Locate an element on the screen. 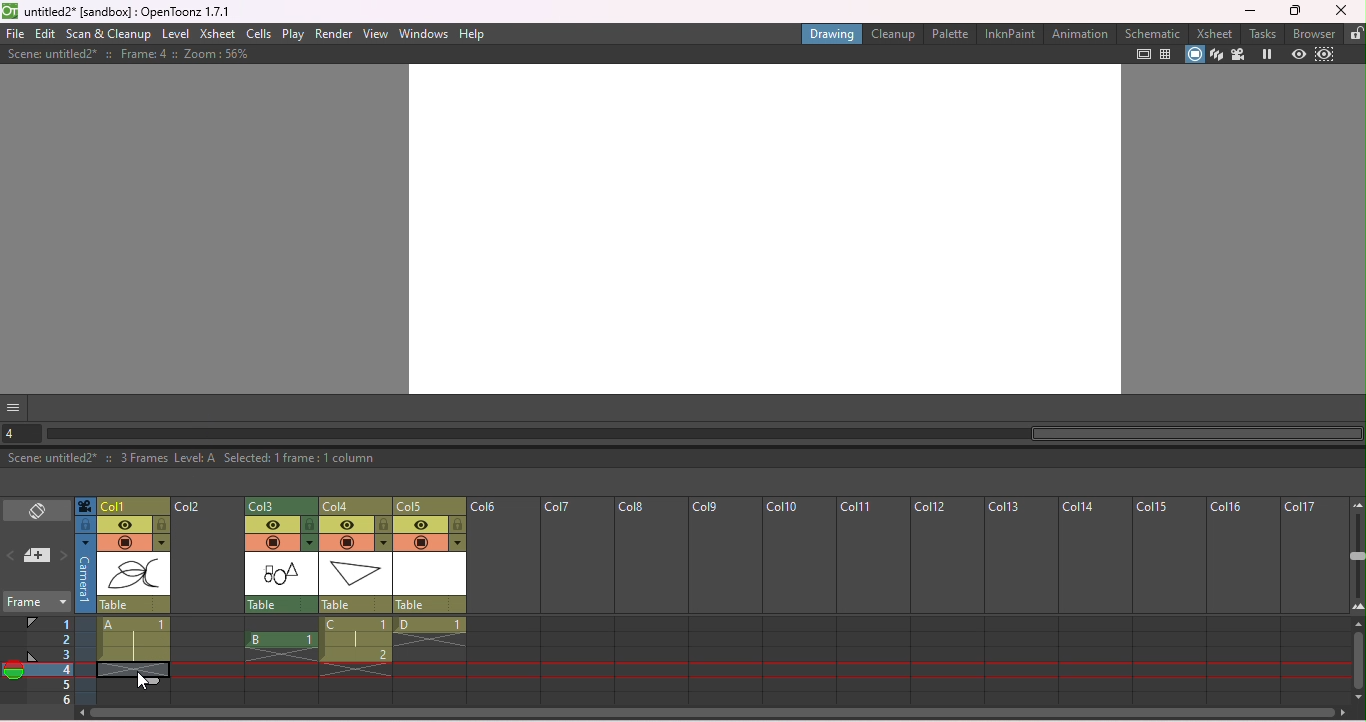 This screenshot has height=722, width=1366. column 13 is located at coordinates (1019, 601).